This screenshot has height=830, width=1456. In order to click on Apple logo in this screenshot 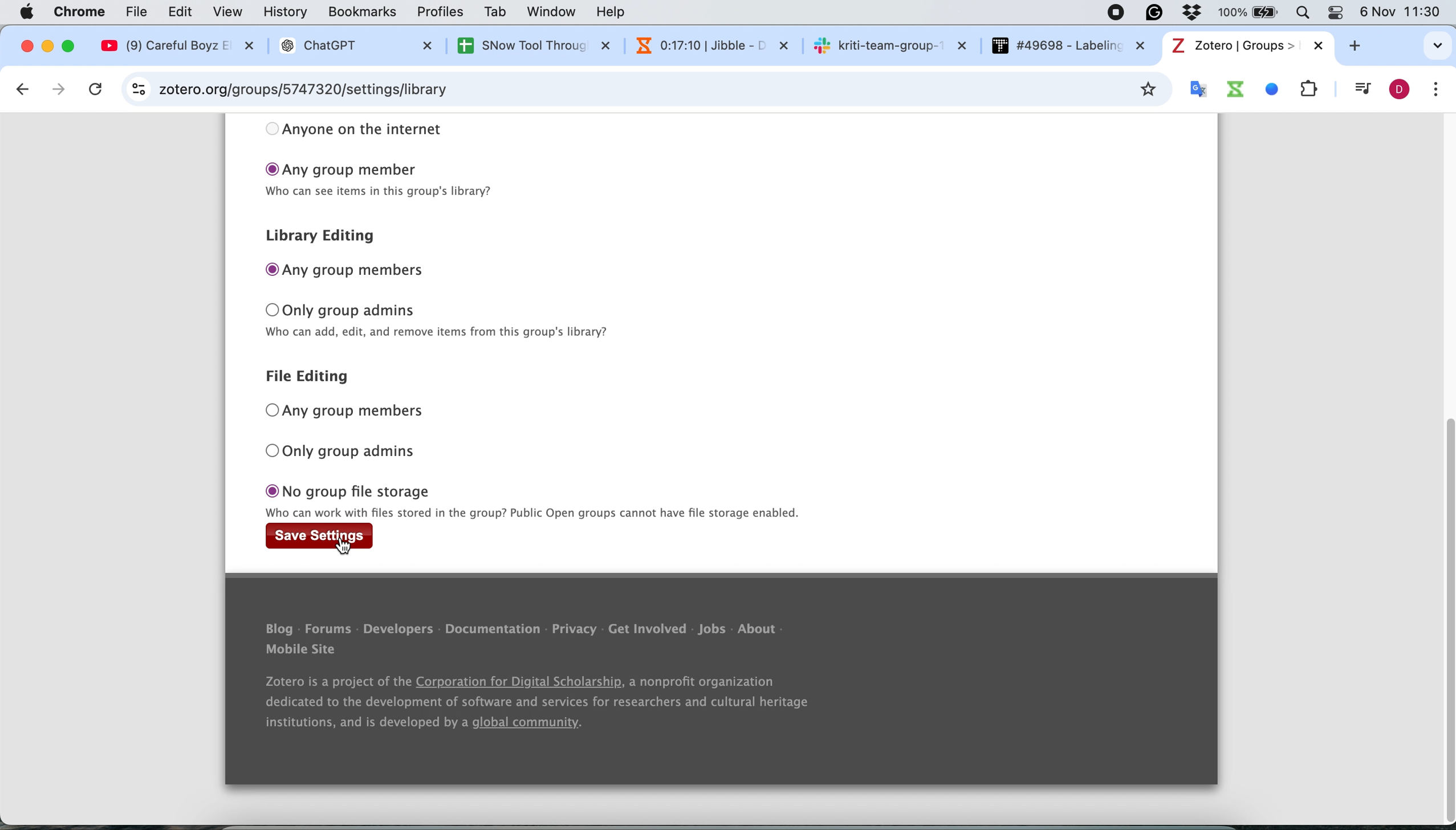, I will do `click(27, 11)`.